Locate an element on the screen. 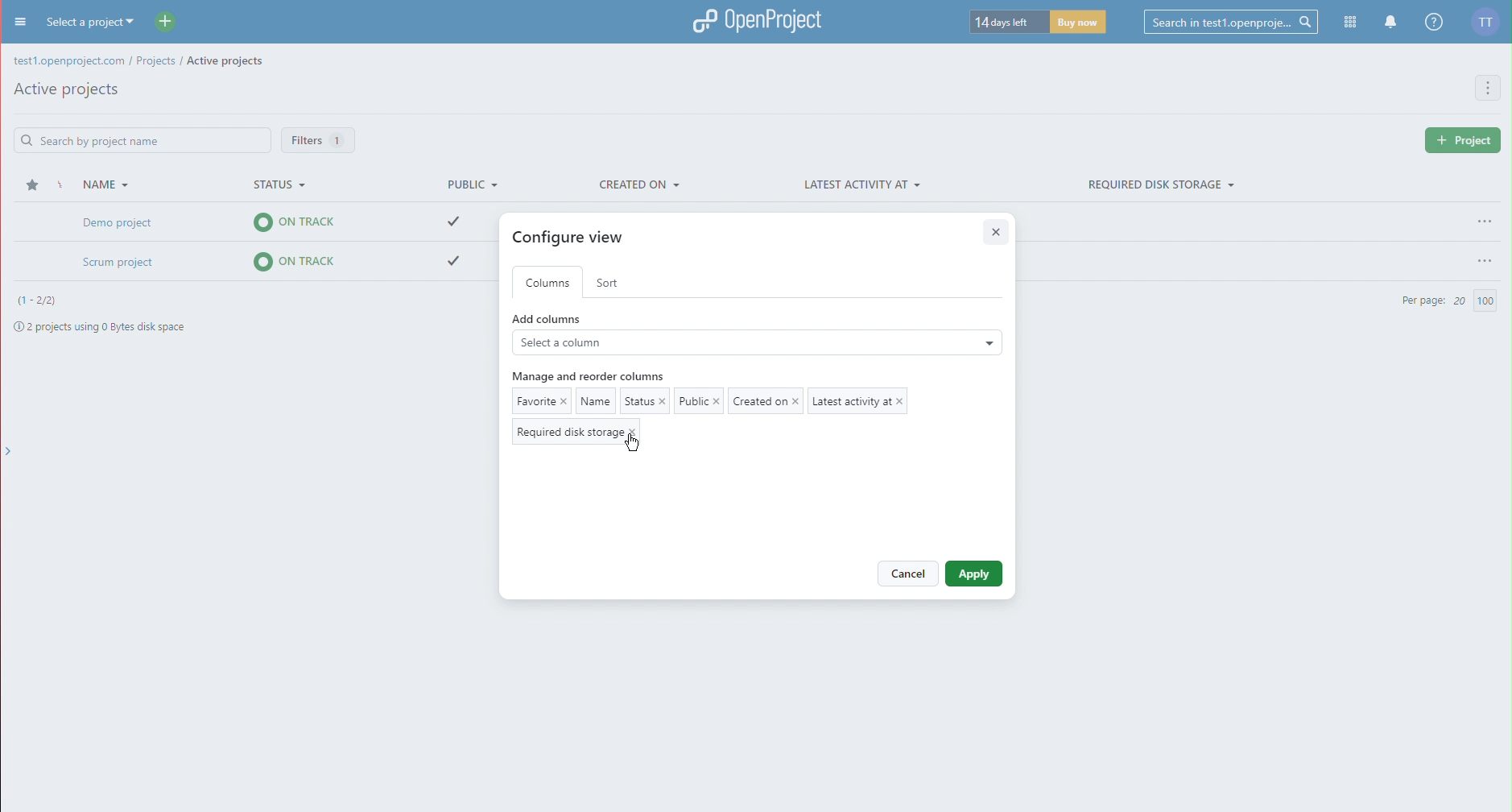 The height and width of the screenshot is (812, 1512). Account is located at coordinates (1489, 23).